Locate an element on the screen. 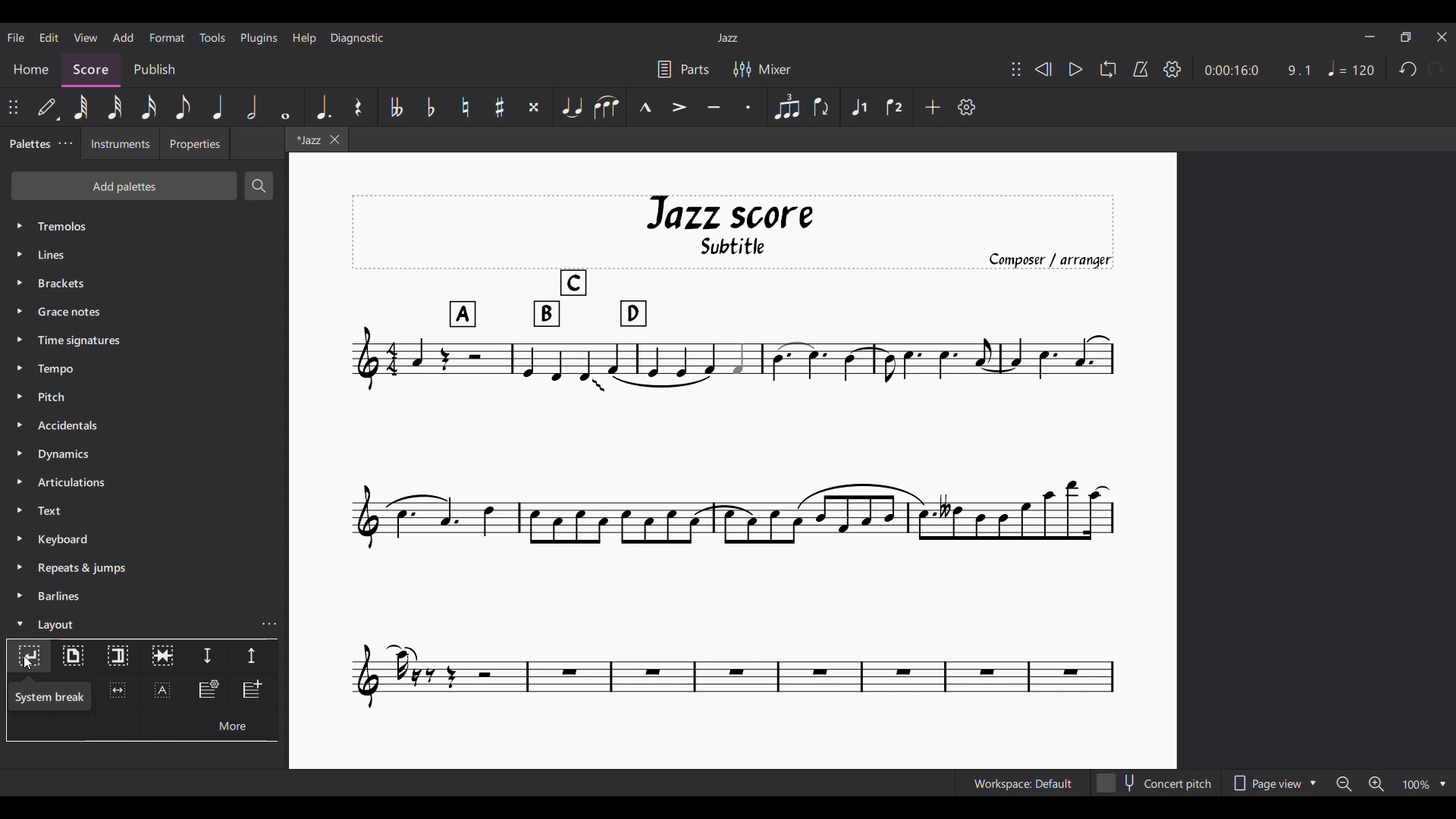 This screenshot has width=1456, height=819. Play is located at coordinates (1076, 69).